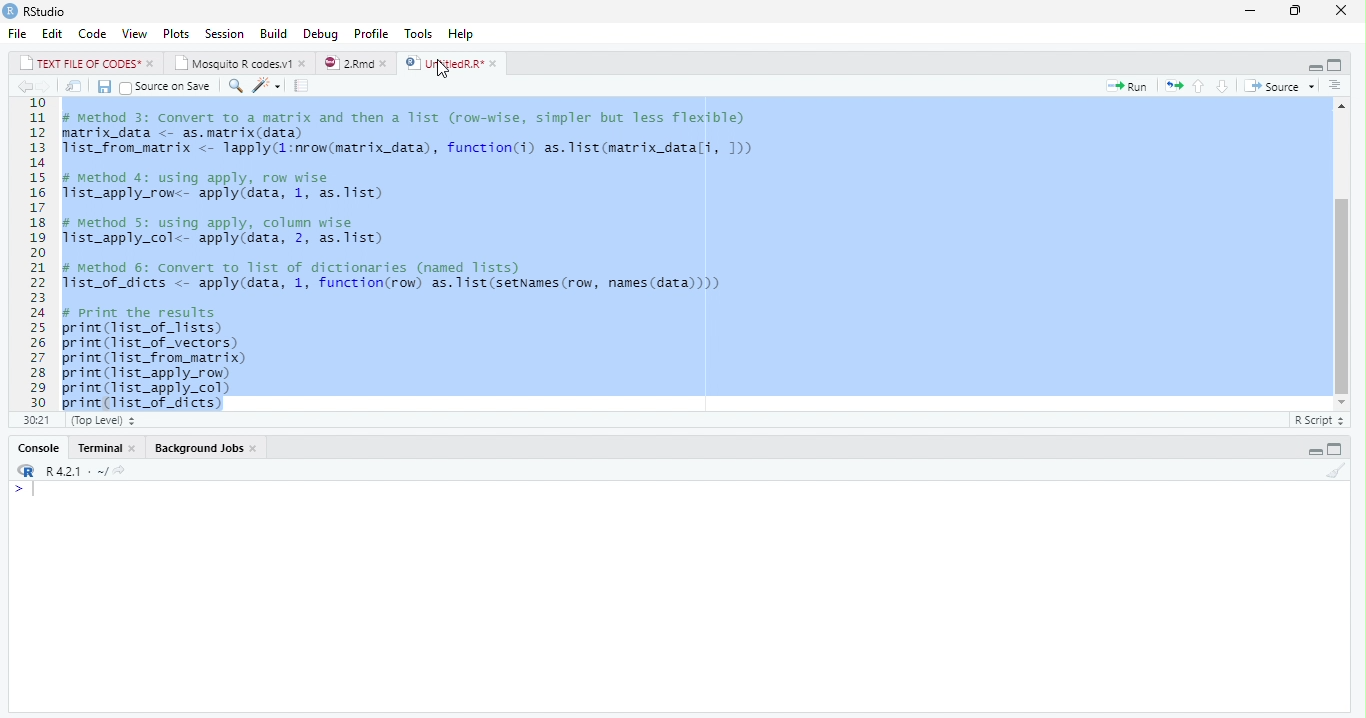  What do you see at coordinates (1342, 10) in the screenshot?
I see `Close` at bounding box center [1342, 10].